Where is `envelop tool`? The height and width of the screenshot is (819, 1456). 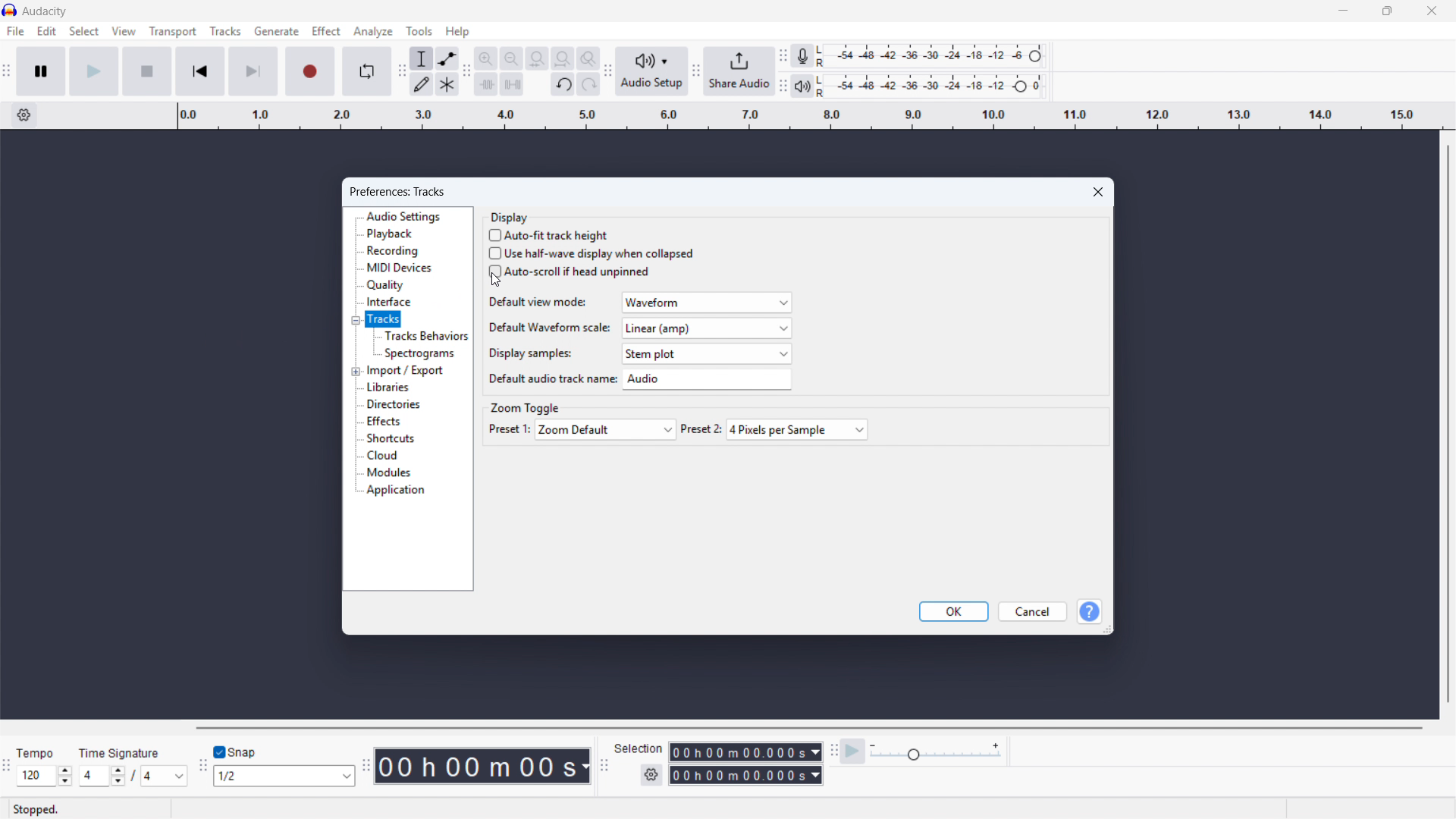
envelop tool is located at coordinates (447, 58).